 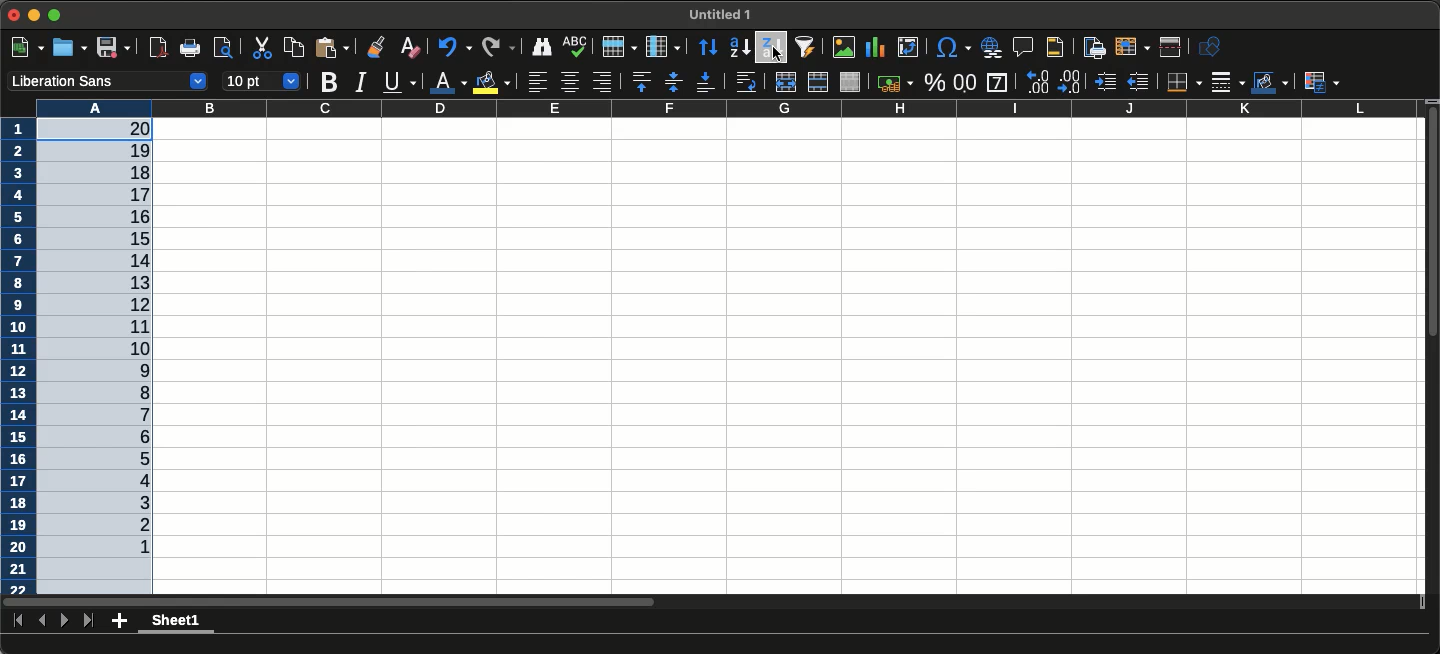 I want to click on Save, so click(x=114, y=46).